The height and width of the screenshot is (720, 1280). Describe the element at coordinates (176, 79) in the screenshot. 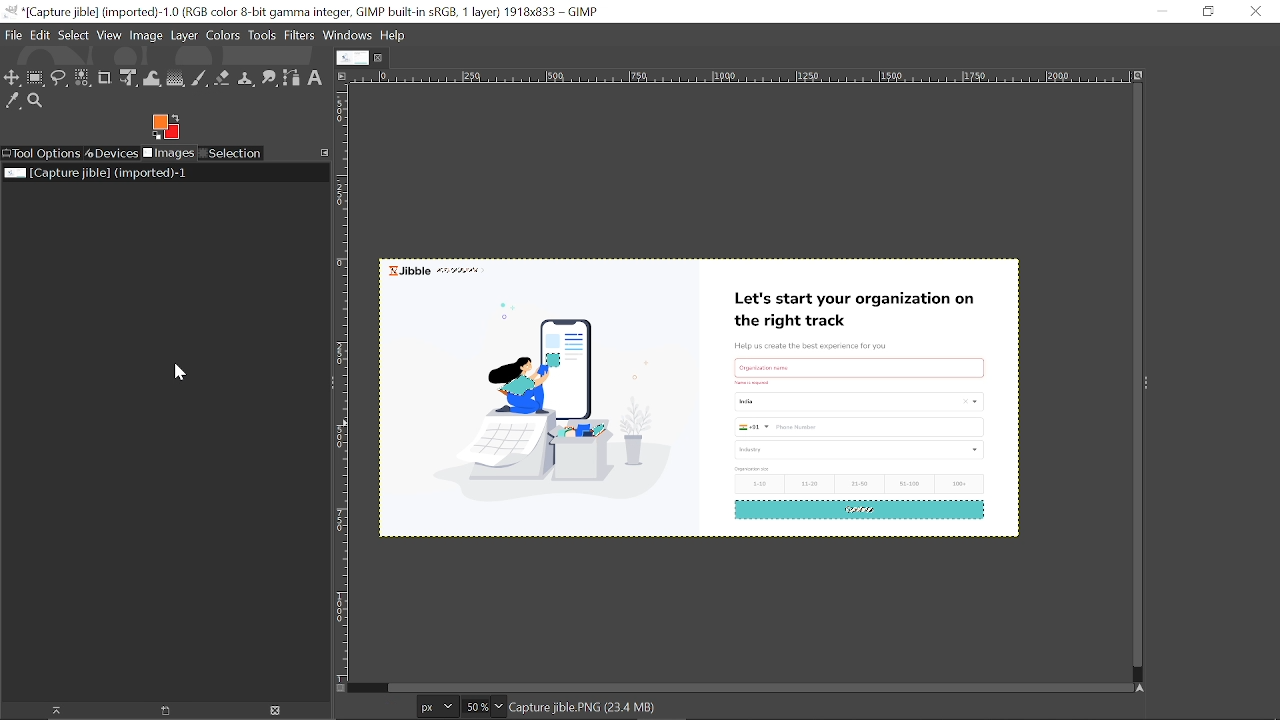

I see `Gradient tool` at that location.